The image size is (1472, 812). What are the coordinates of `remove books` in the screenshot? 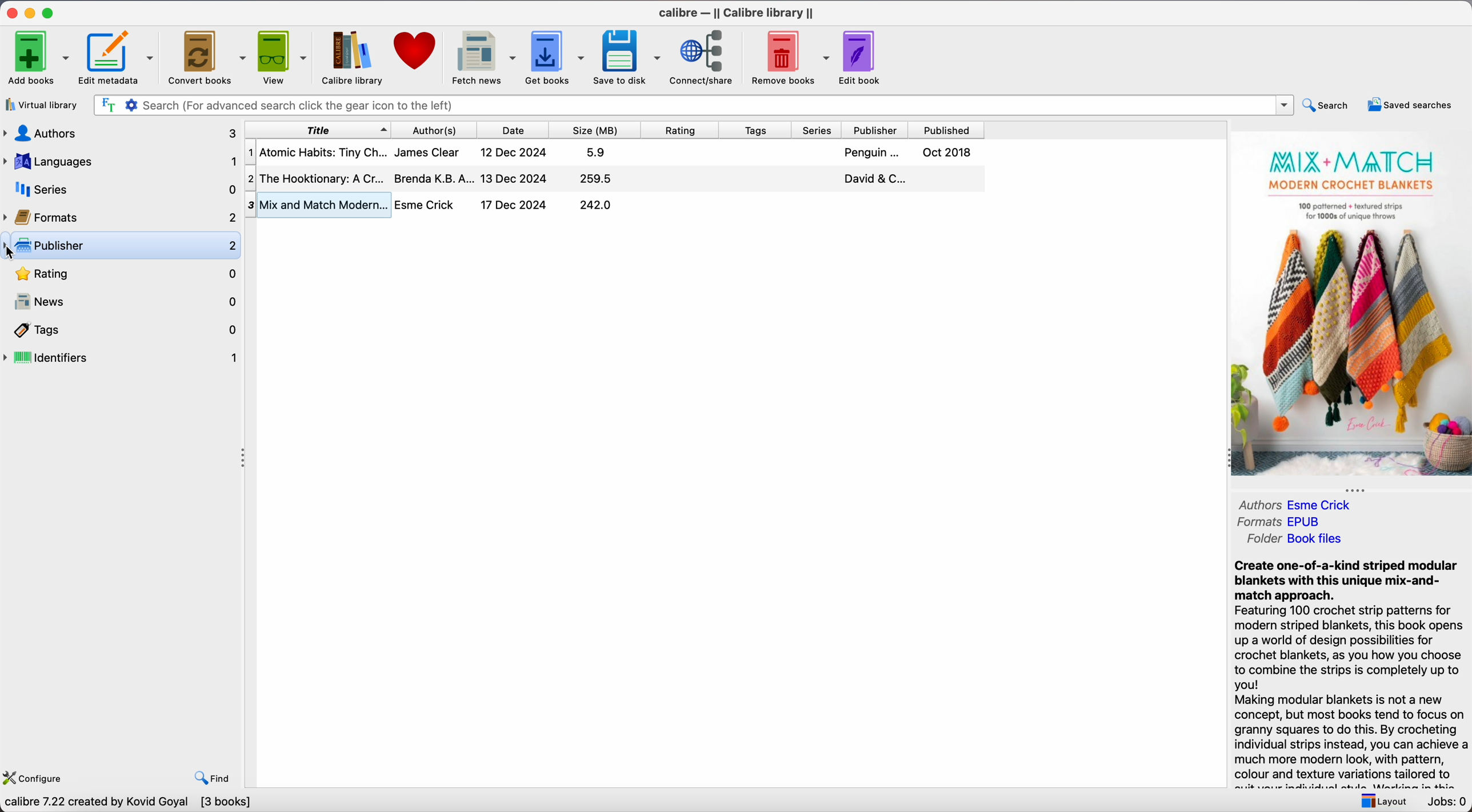 It's located at (791, 57).